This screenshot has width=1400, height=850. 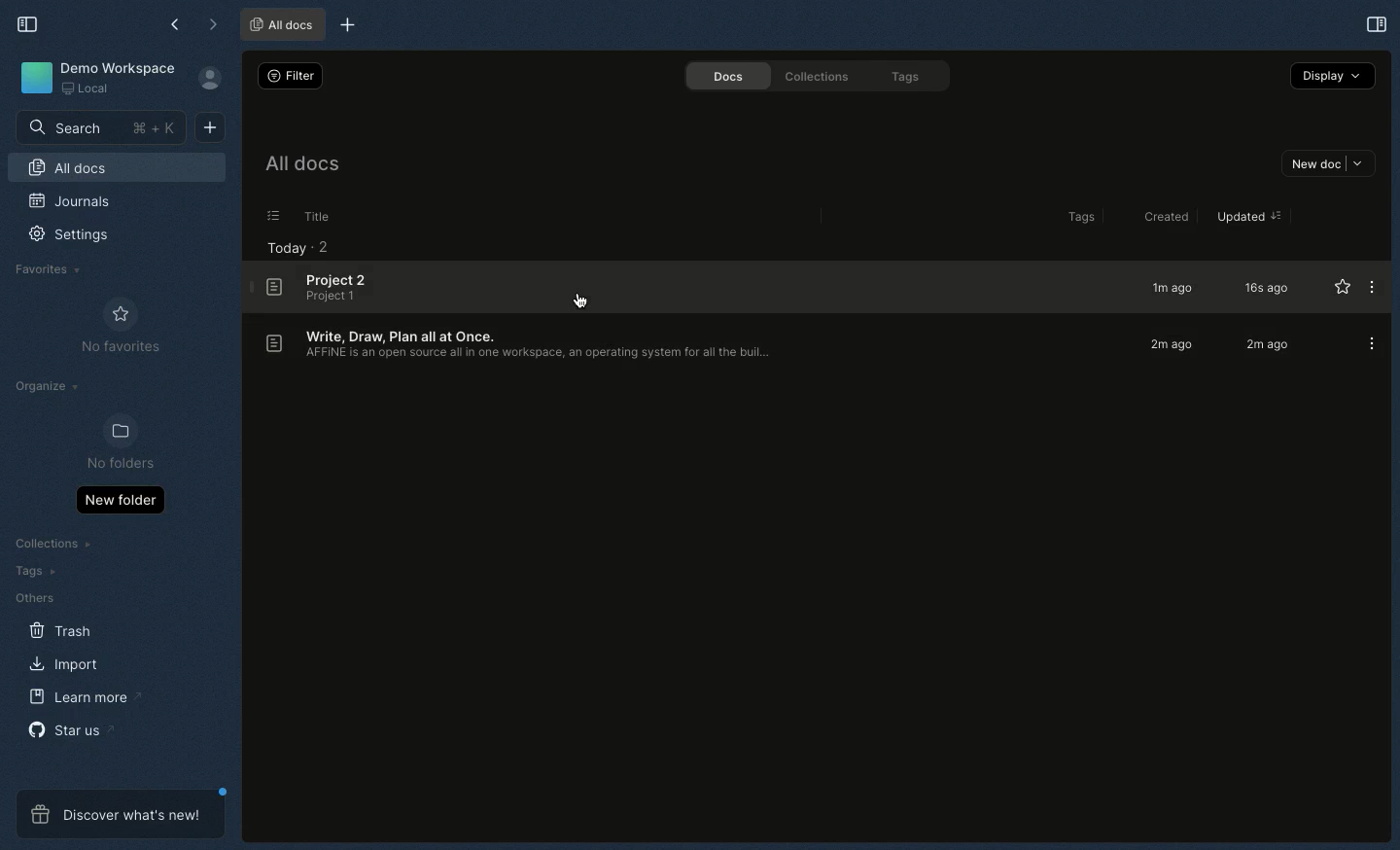 What do you see at coordinates (67, 236) in the screenshot?
I see `Settings` at bounding box center [67, 236].